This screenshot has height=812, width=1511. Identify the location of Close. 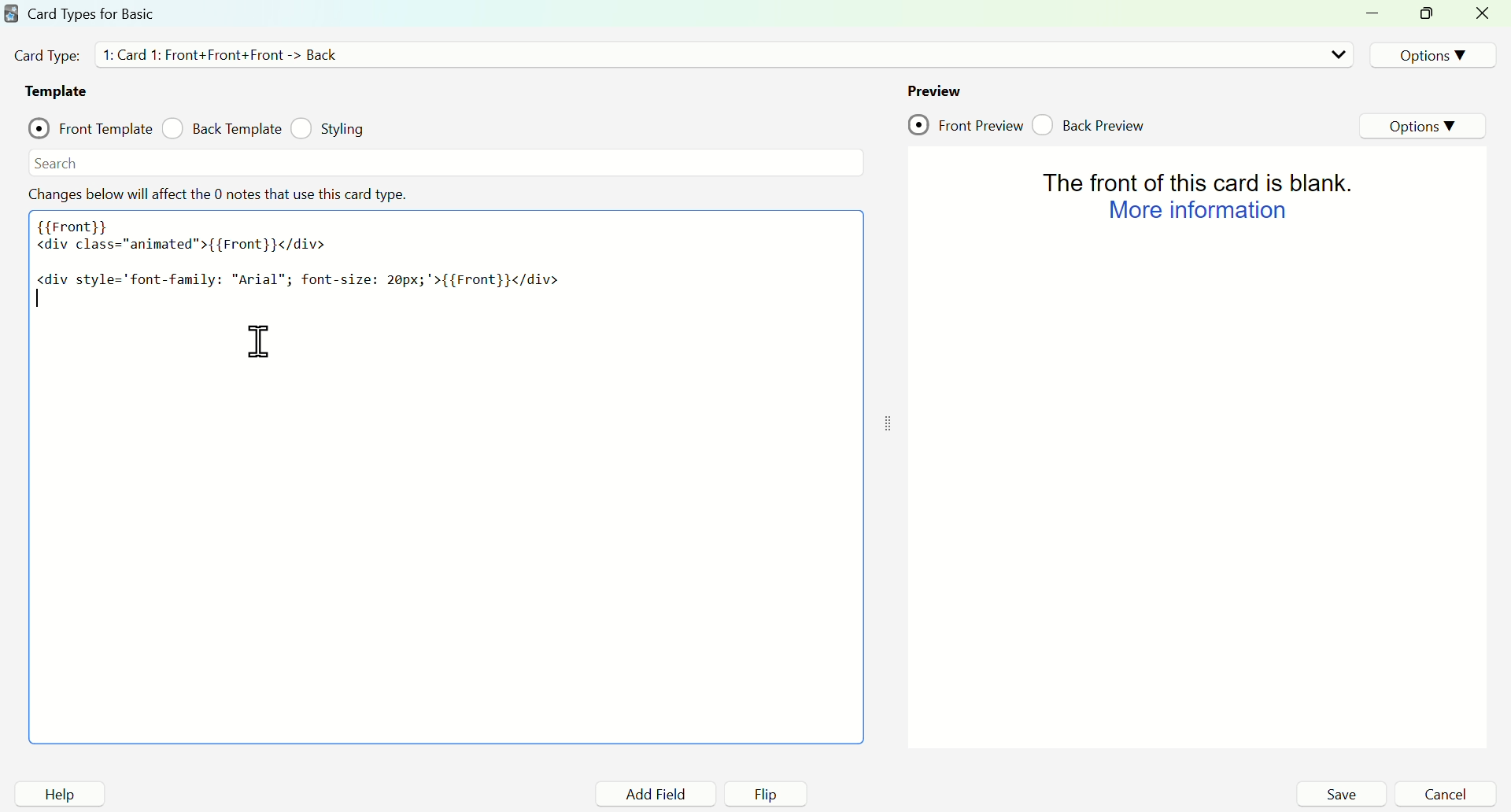
(1485, 14).